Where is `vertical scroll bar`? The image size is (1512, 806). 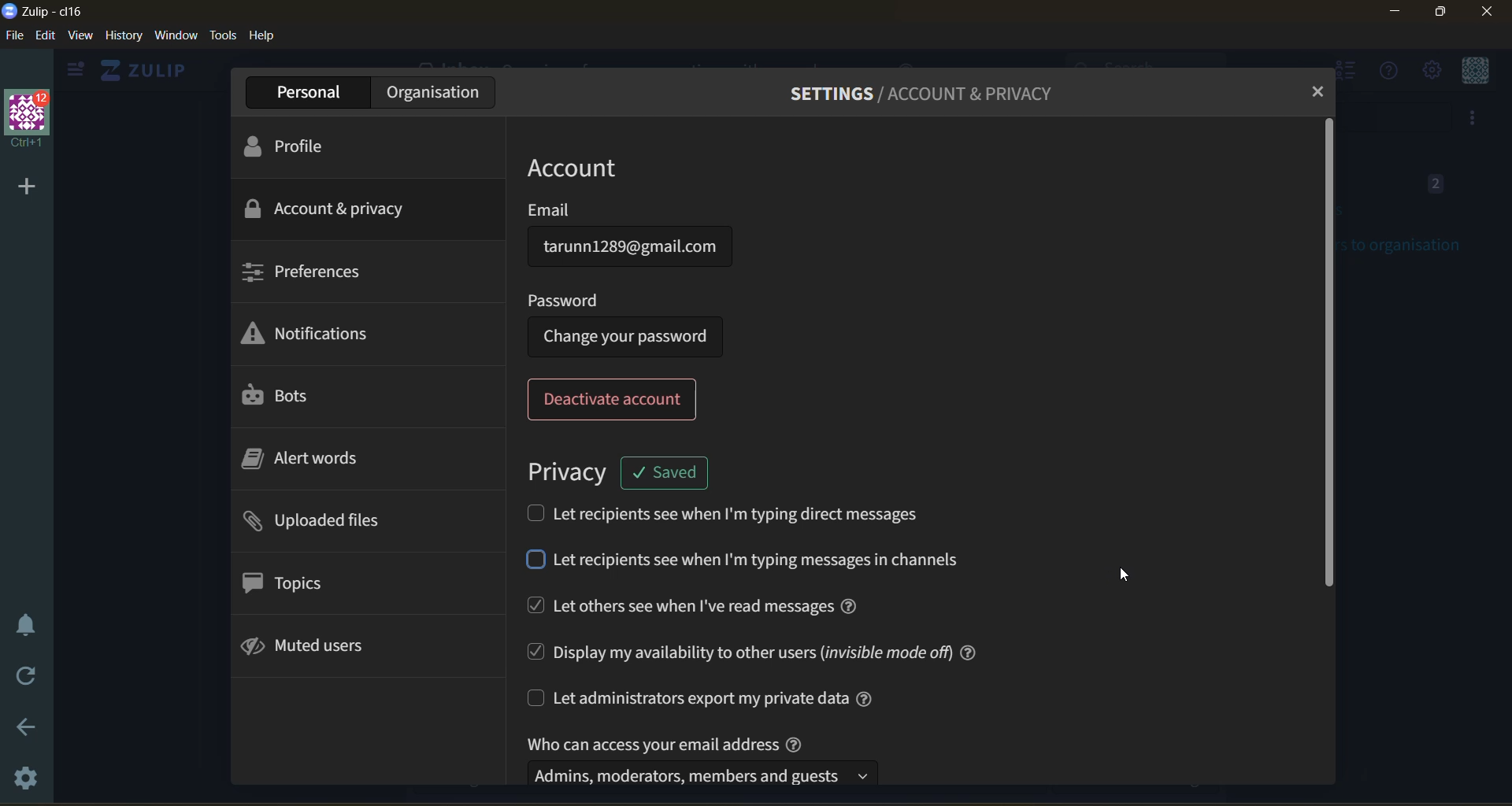
vertical scroll bar is located at coordinates (1325, 355).